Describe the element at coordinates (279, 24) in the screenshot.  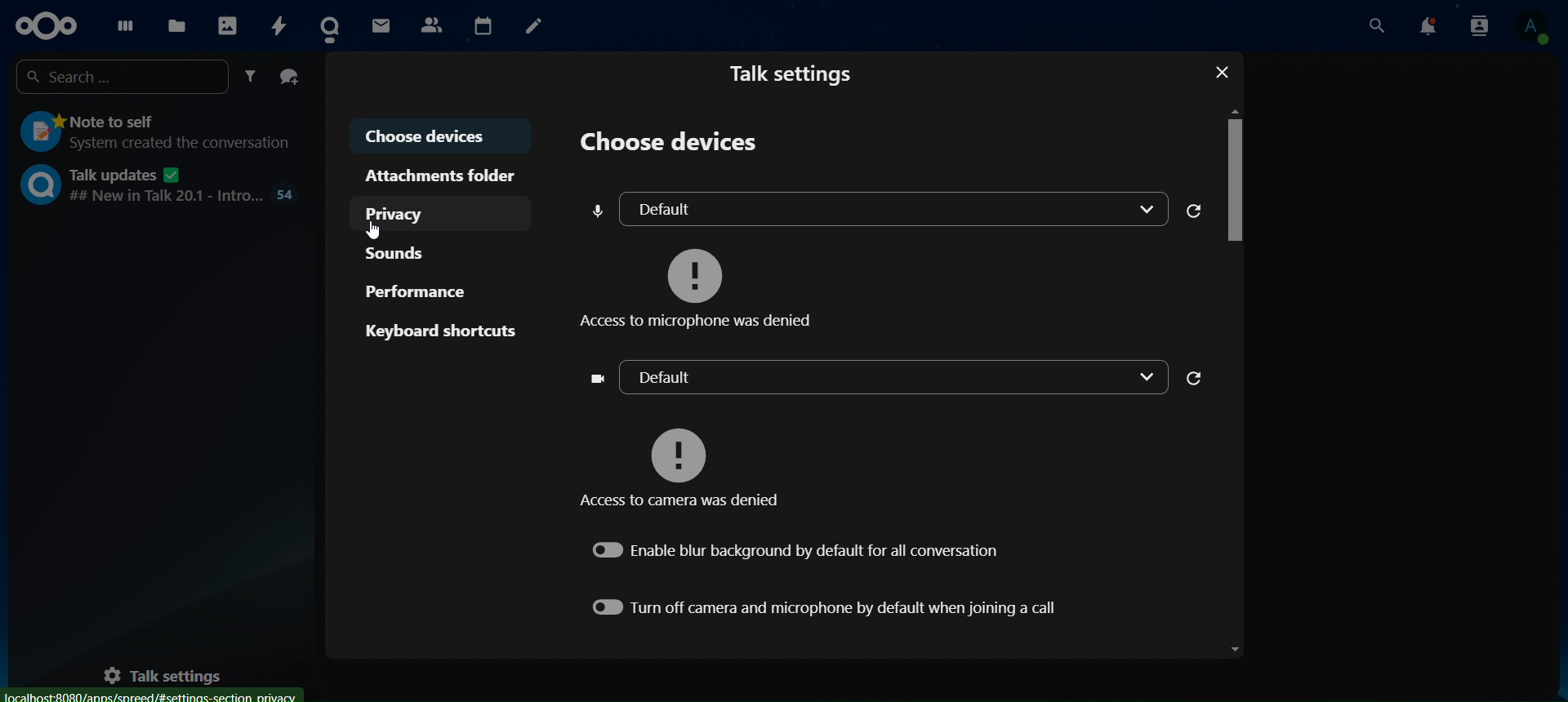
I see `activity` at that location.